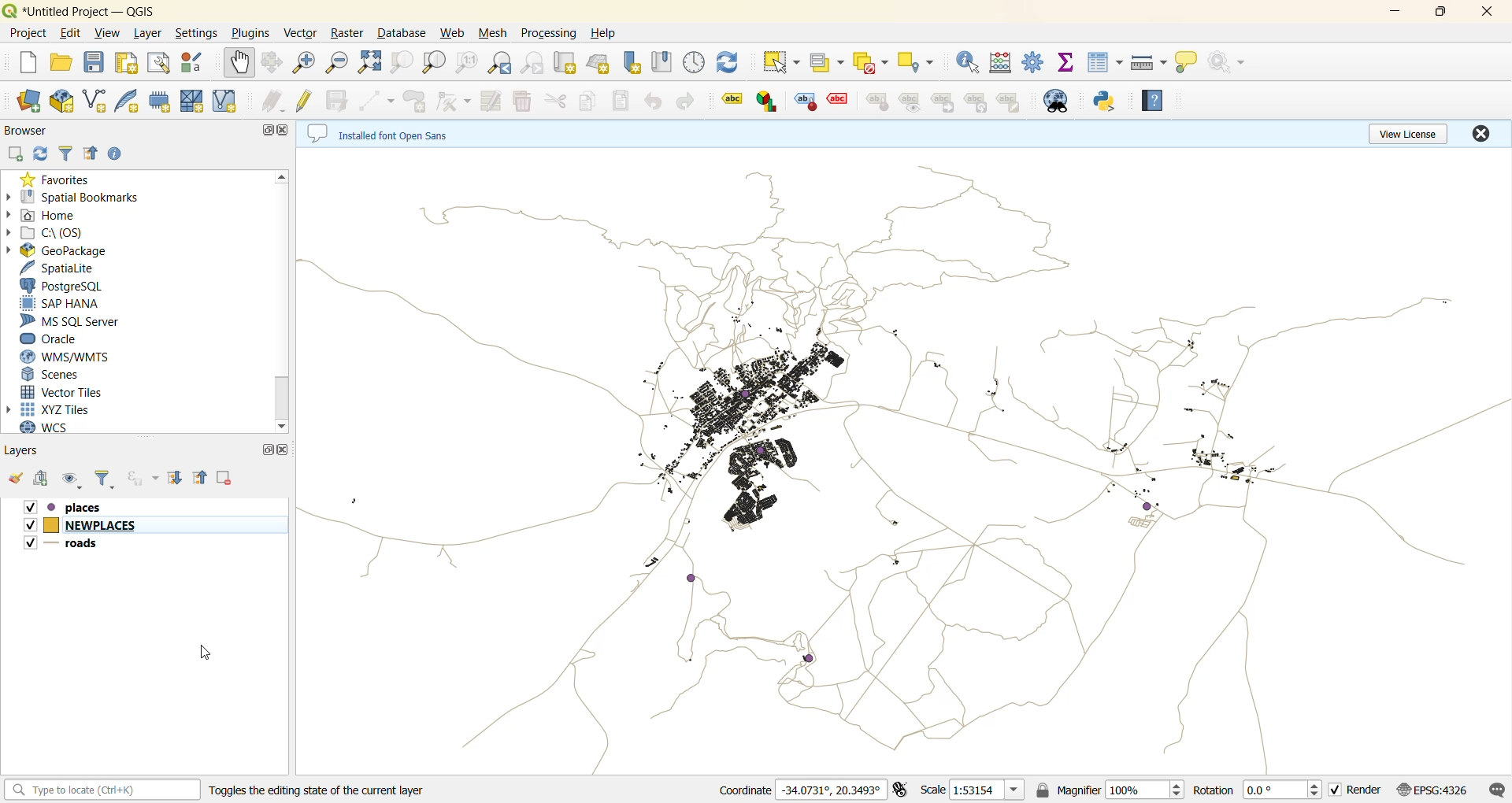 This screenshot has width=1512, height=803. Describe the element at coordinates (77, 506) in the screenshot. I see `places` at that location.